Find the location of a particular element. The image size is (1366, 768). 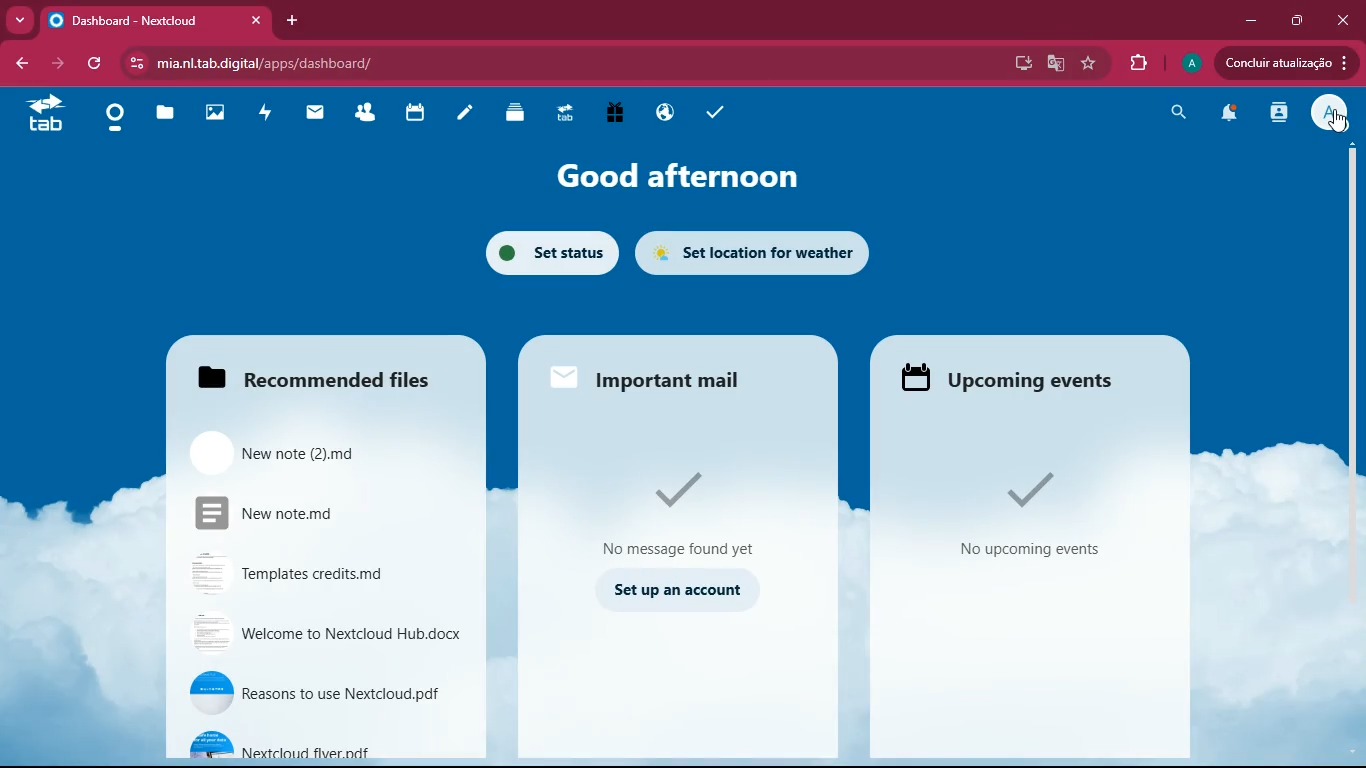

Important mail is located at coordinates (647, 378).